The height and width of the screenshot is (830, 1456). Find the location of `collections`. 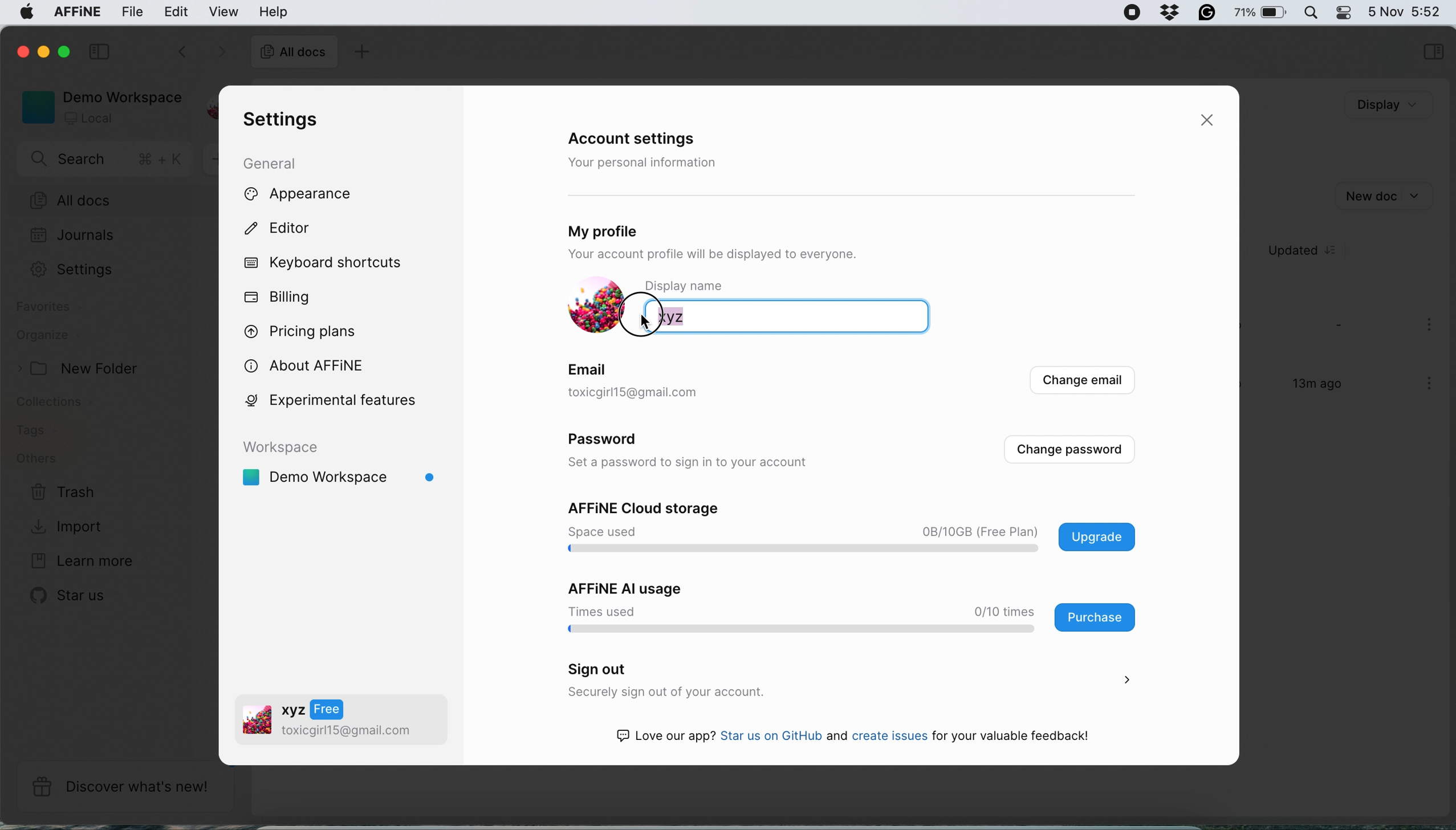

collections is located at coordinates (64, 404).